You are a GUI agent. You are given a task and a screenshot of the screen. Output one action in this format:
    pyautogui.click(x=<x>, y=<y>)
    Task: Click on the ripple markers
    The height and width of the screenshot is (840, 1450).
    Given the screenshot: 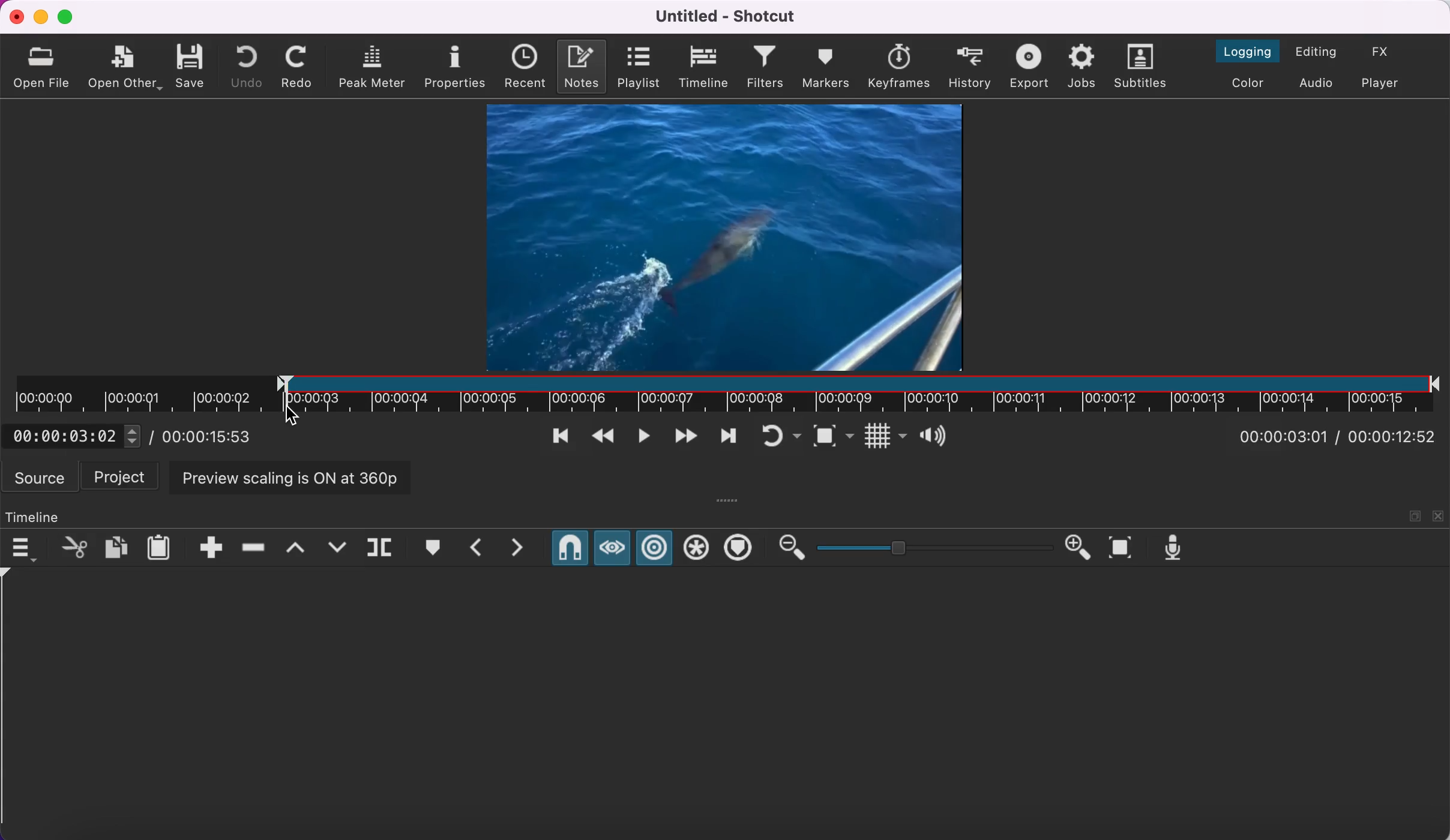 What is the action you would take?
    pyautogui.click(x=739, y=548)
    